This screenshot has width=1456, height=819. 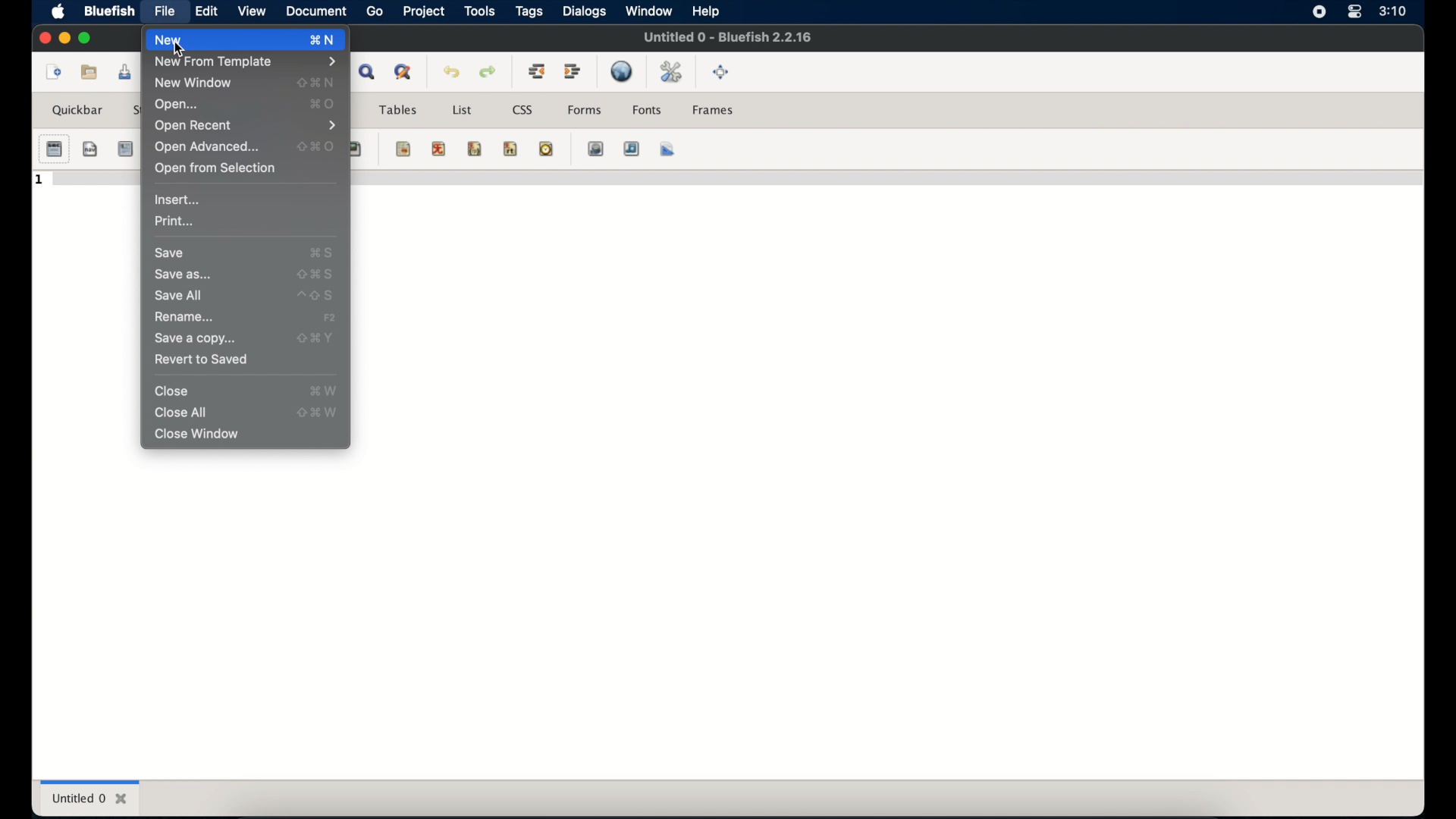 I want to click on new from template, so click(x=245, y=62).